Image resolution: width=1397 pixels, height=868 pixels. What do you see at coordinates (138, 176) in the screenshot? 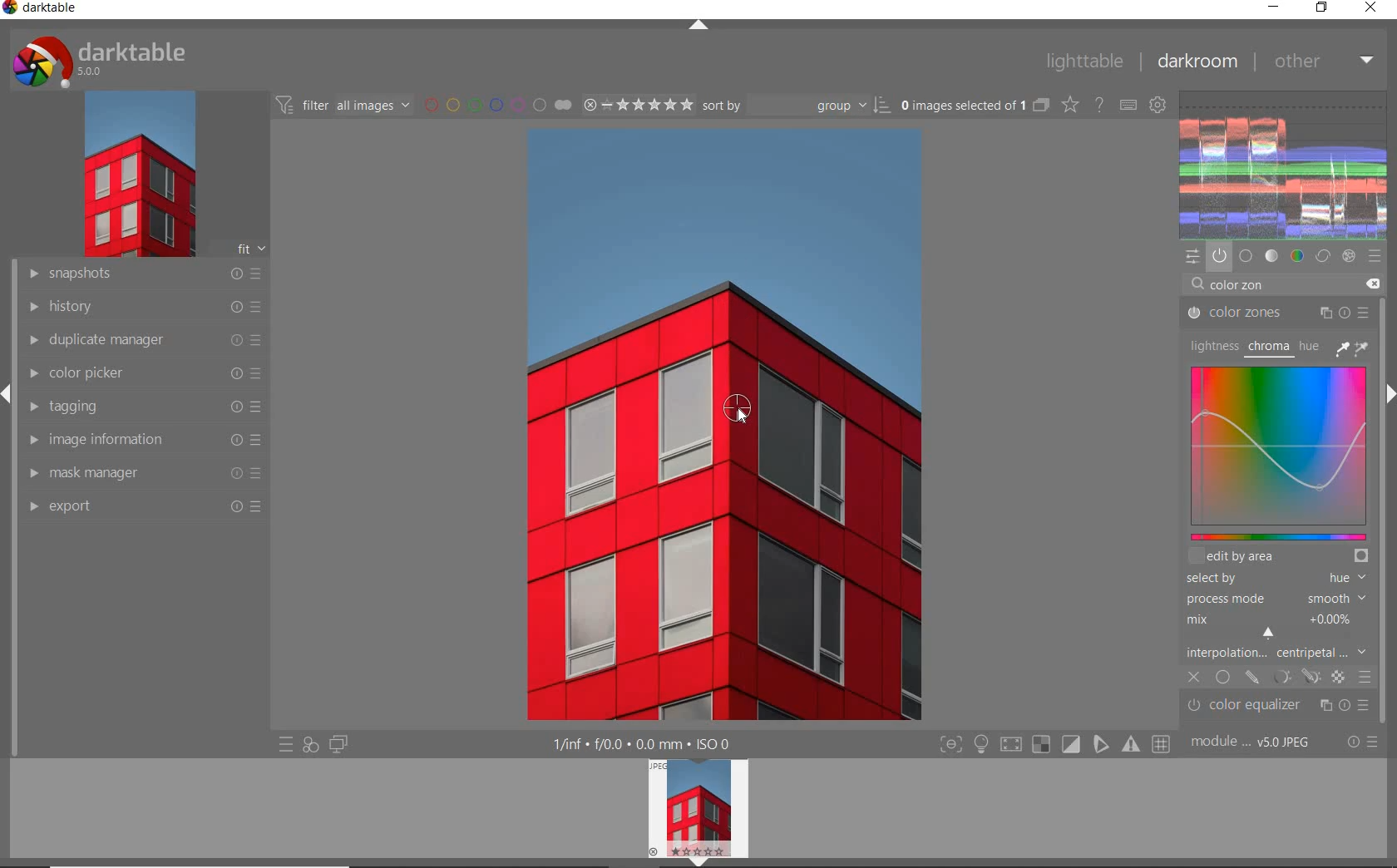
I see `image` at bounding box center [138, 176].